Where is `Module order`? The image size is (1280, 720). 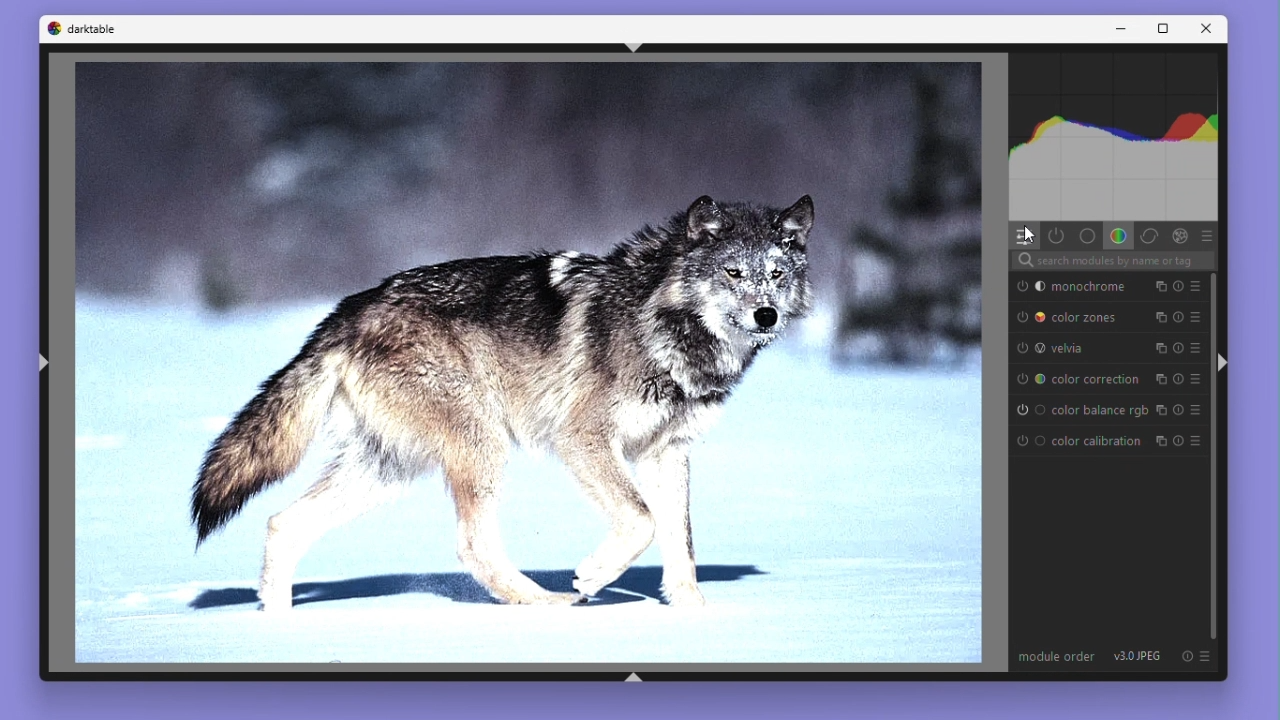 Module order is located at coordinates (1058, 658).